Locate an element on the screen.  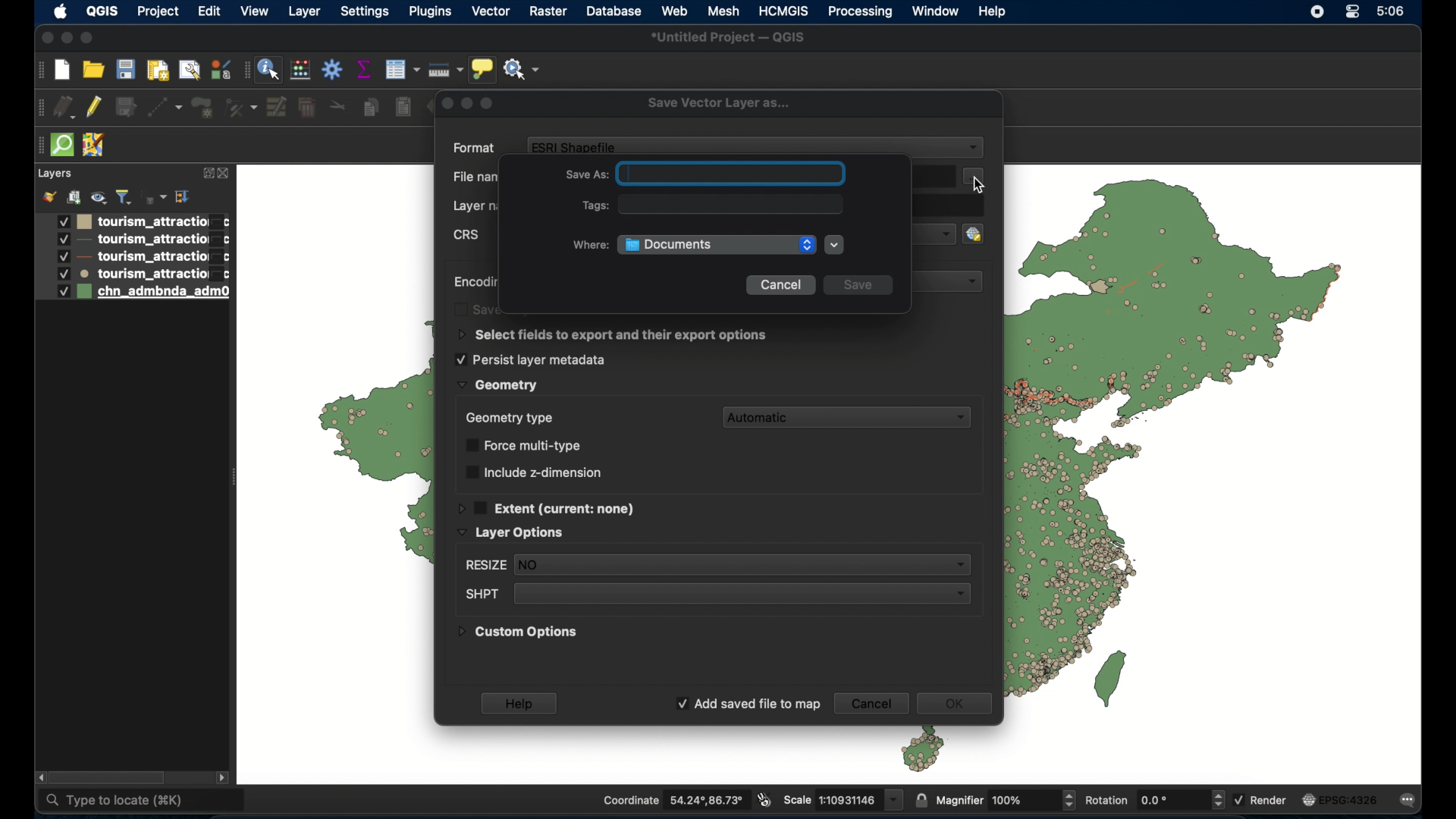
scale is located at coordinates (843, 799).